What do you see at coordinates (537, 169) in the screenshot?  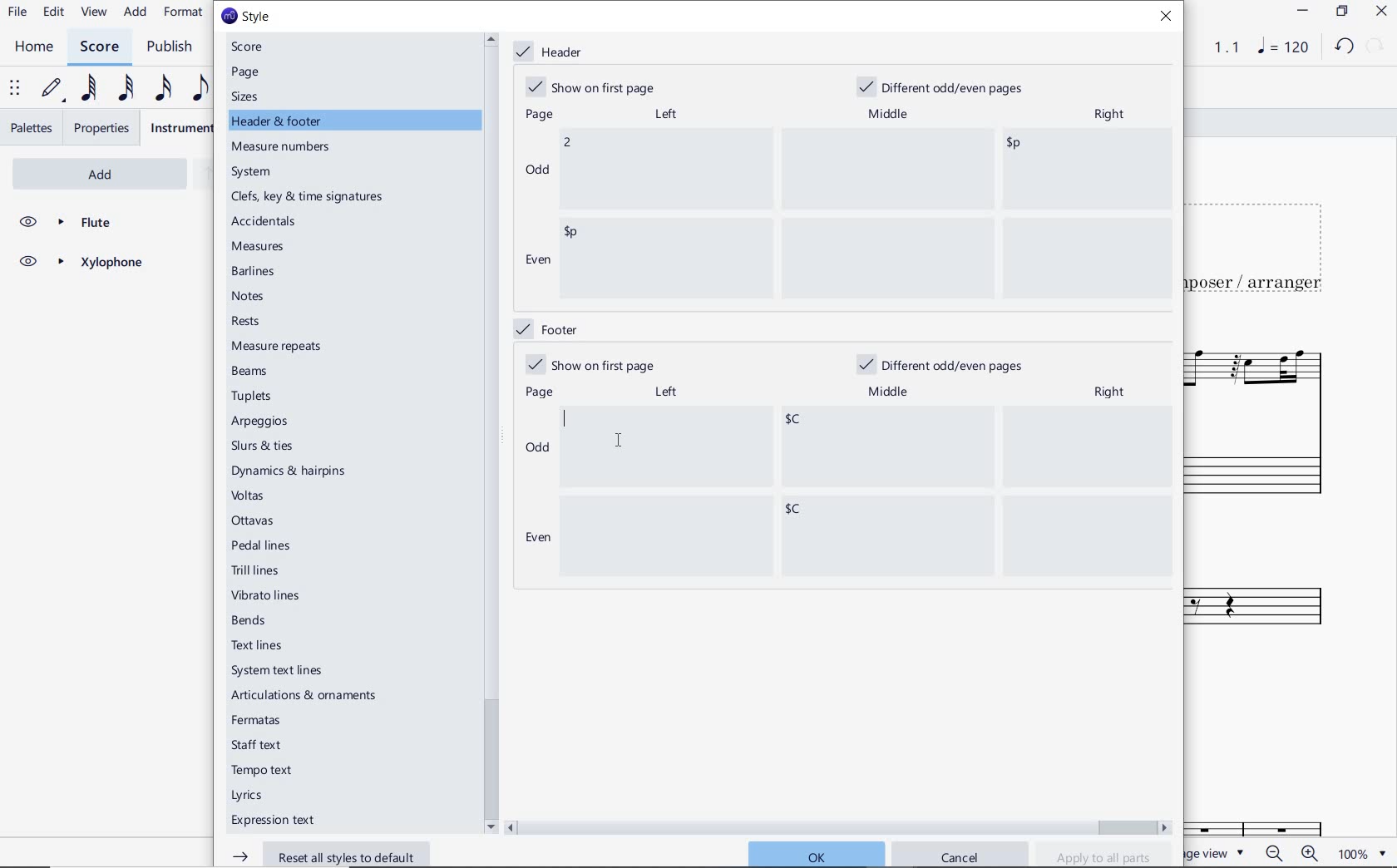 I see `odd` at bounding box center [537, 169].